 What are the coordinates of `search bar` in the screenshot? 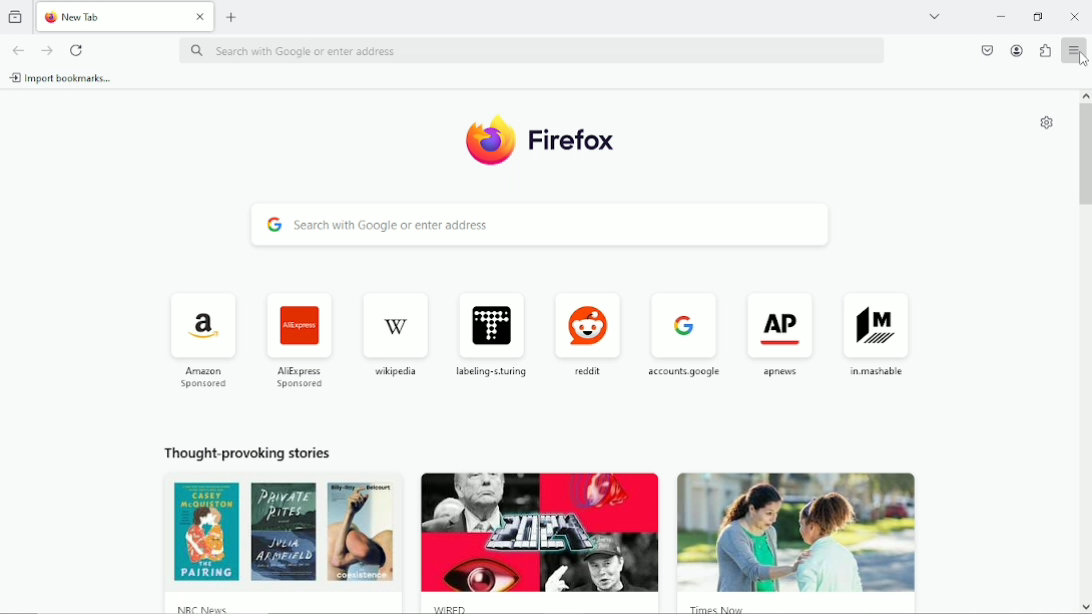 It's located at (537, 50).